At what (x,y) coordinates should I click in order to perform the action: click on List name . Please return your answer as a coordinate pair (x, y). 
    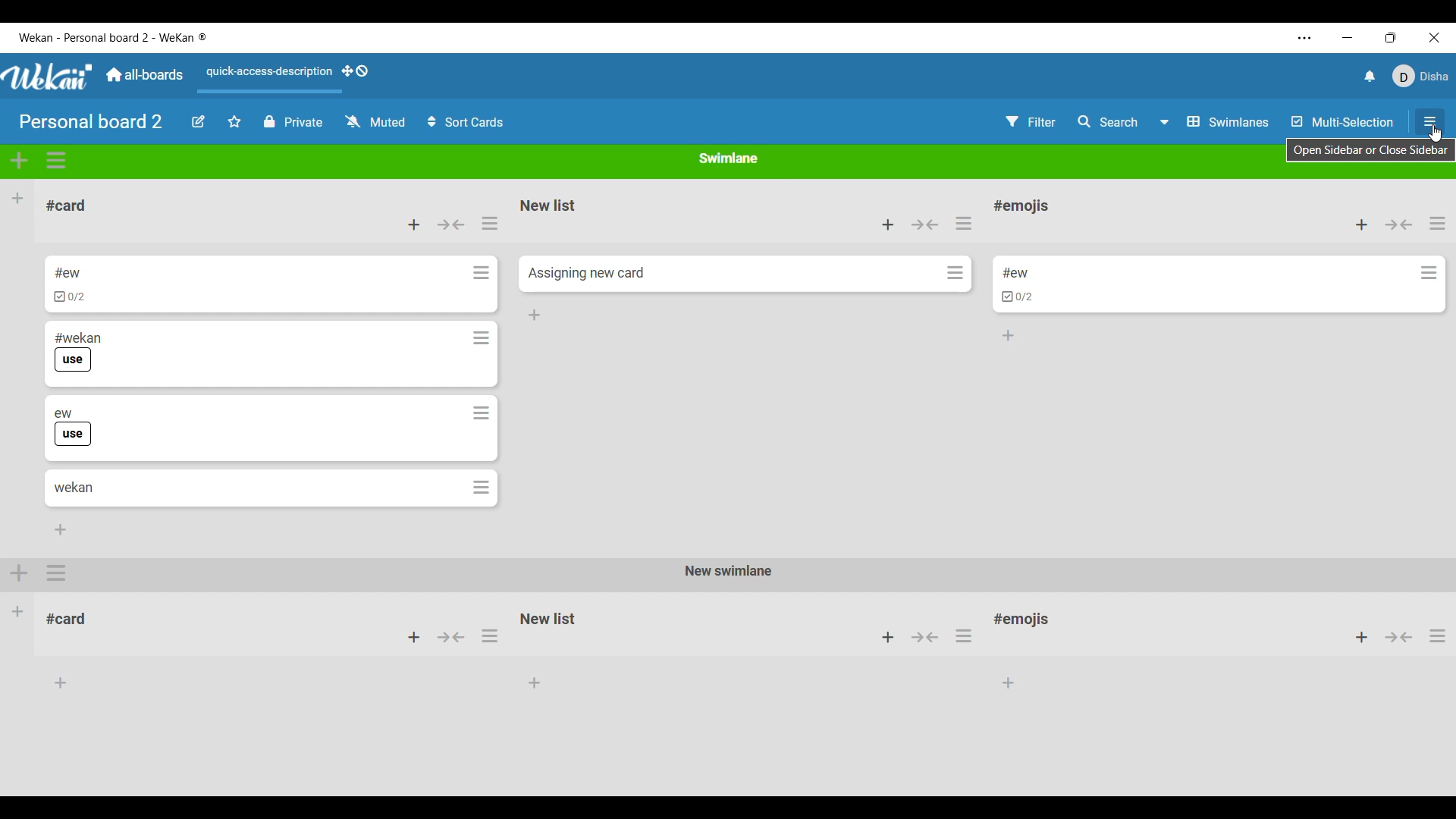
    Looking at the image, I should click on (1016, 273).